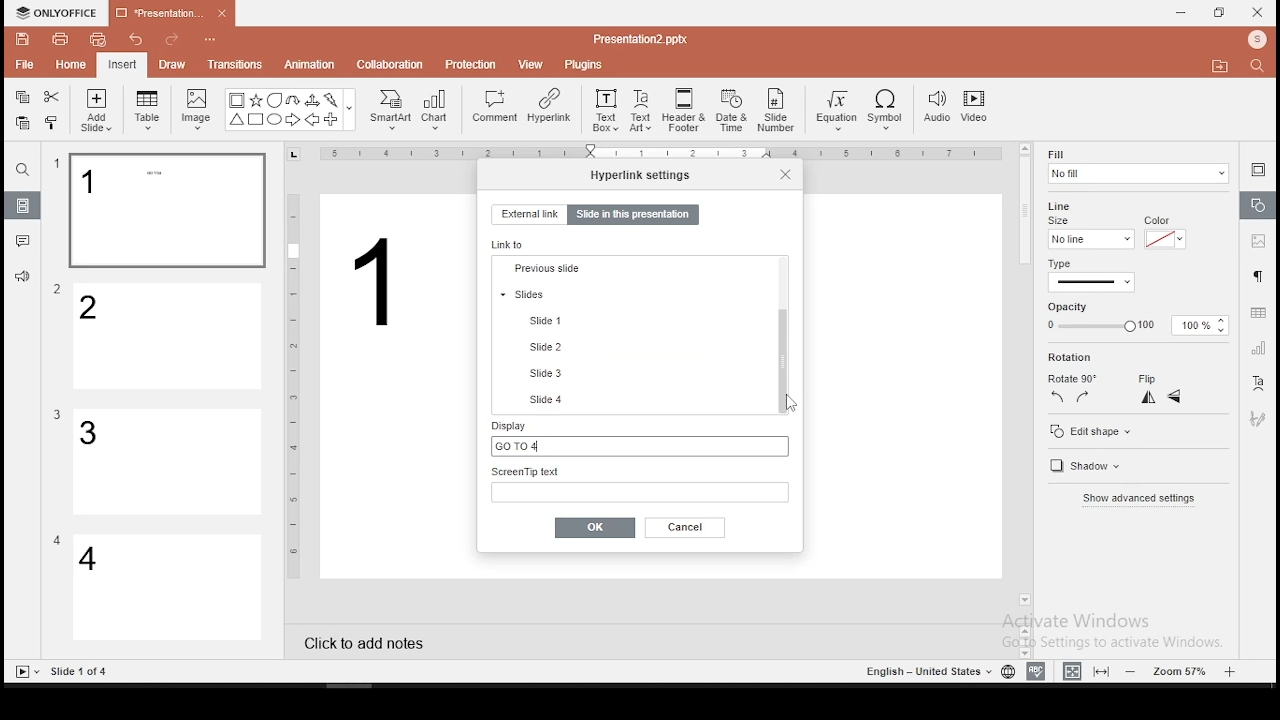 The width and height of the screenshot is (1280, 720). What do you see at coordinates (532, 63) in the screenshot?
I see `view` at bounding box center [532, 63].